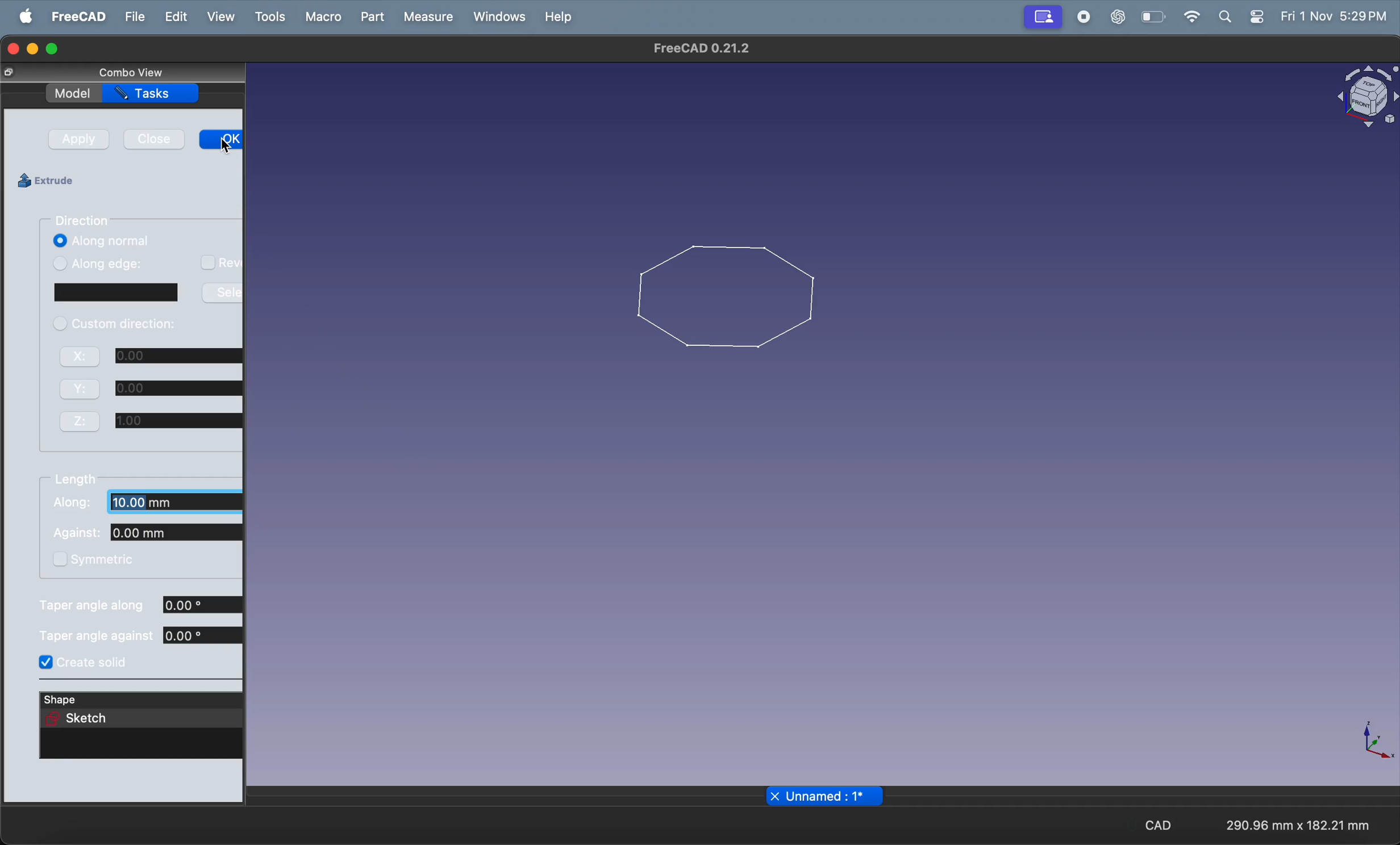 This screenshot has height=845, width=1400. What do you see at coordinates (826, 797) in the screenshot?
I see `unnamed page name` at bounding box center [826, 797].